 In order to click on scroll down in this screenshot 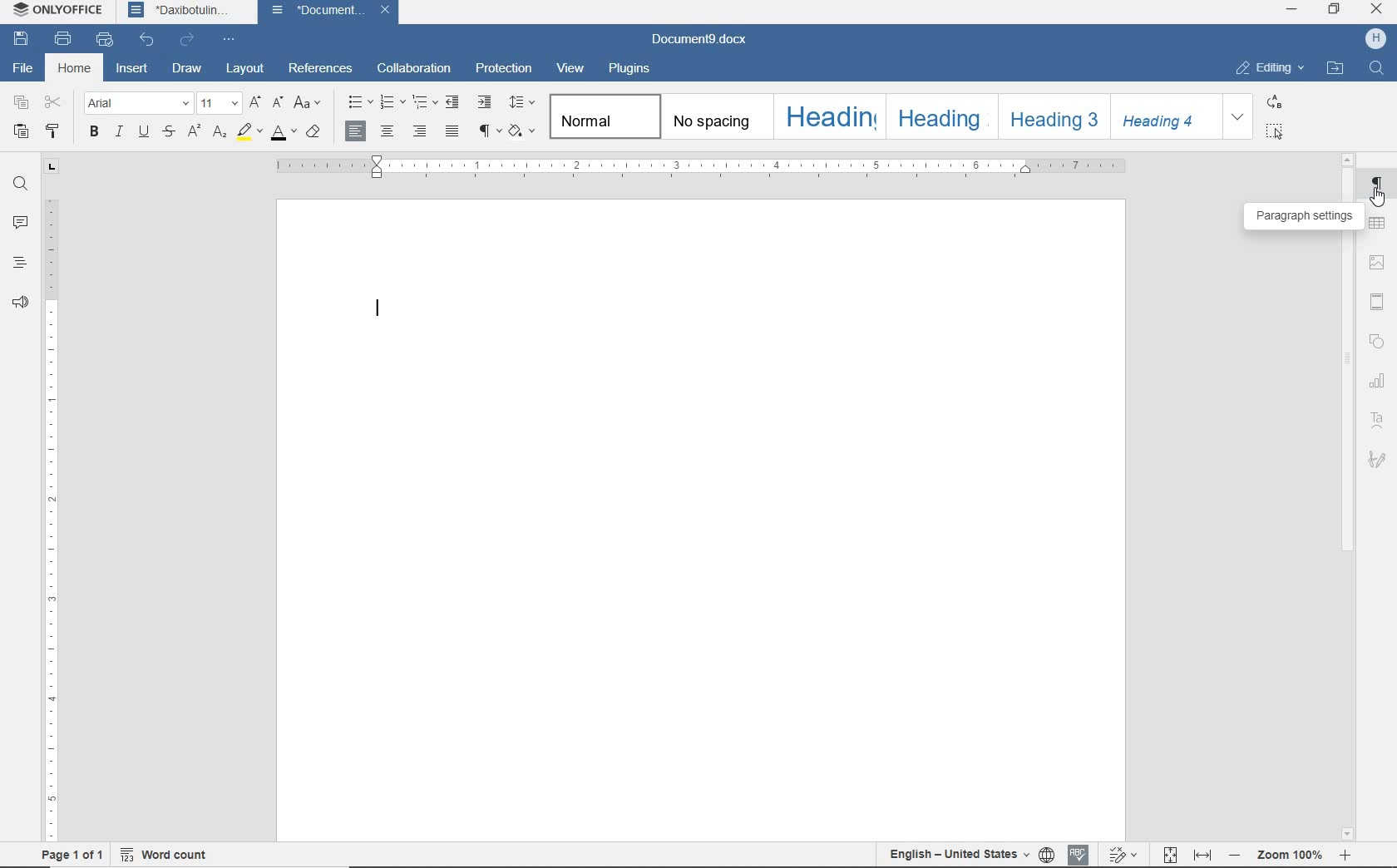, I will do `click(1347, 833)`.